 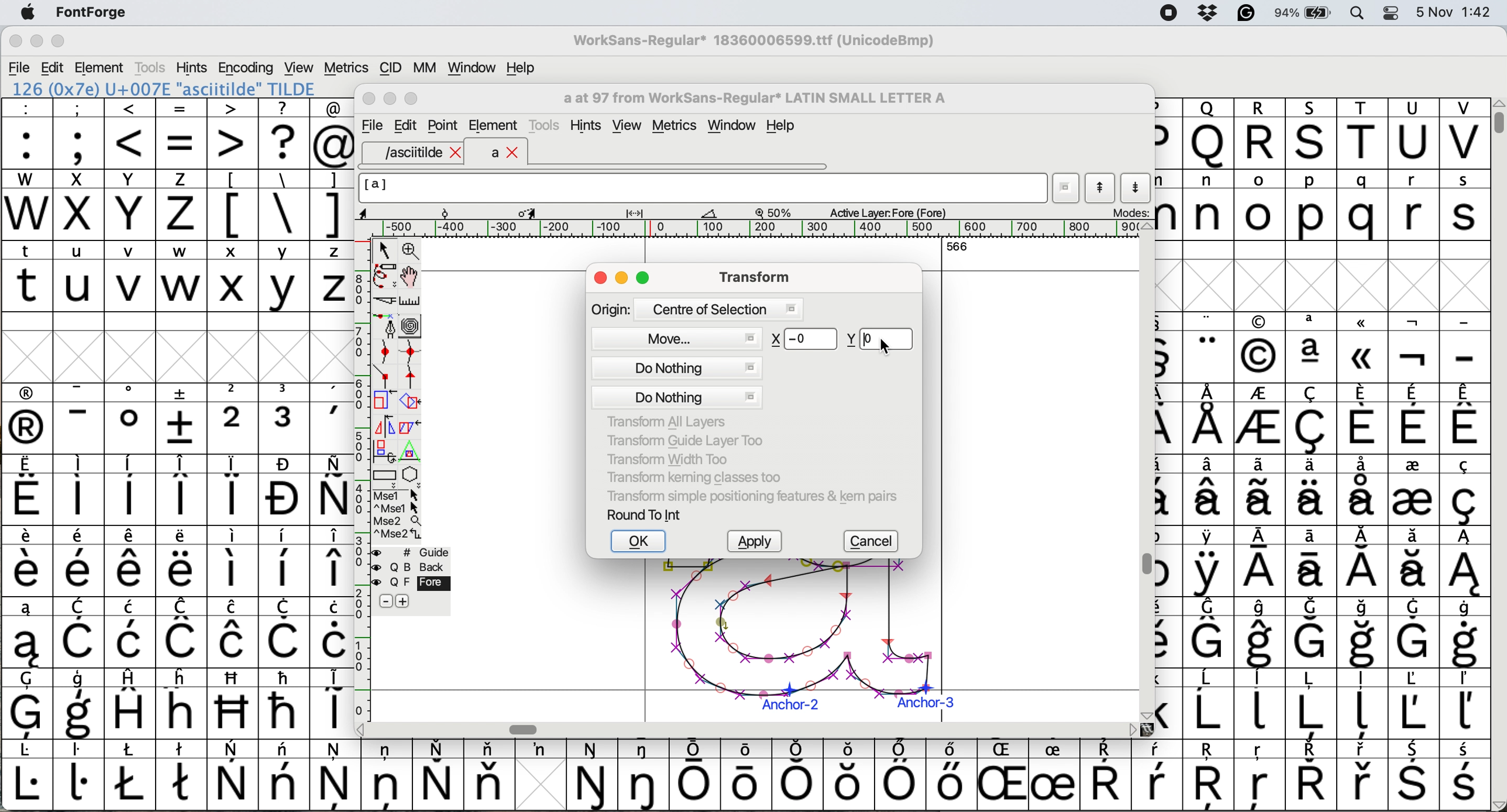 I want to click on Minimise, so click(x=391, y=99).